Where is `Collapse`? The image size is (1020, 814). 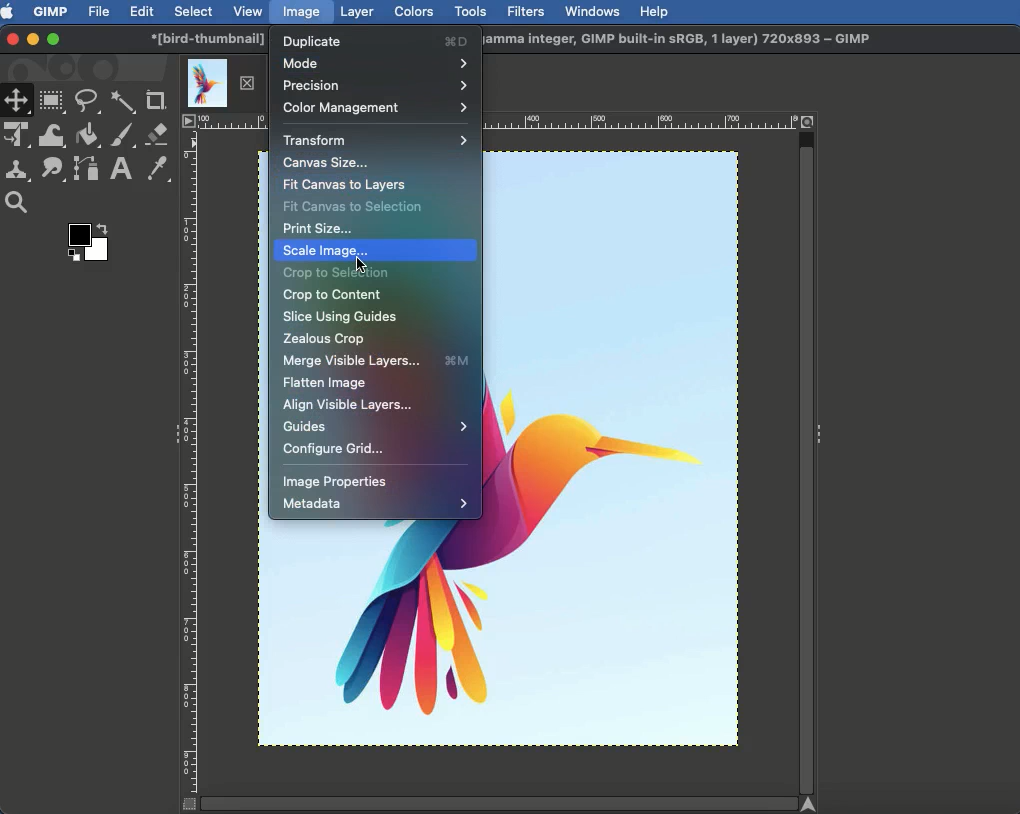 Collapse is located at coordinates (174, 433).